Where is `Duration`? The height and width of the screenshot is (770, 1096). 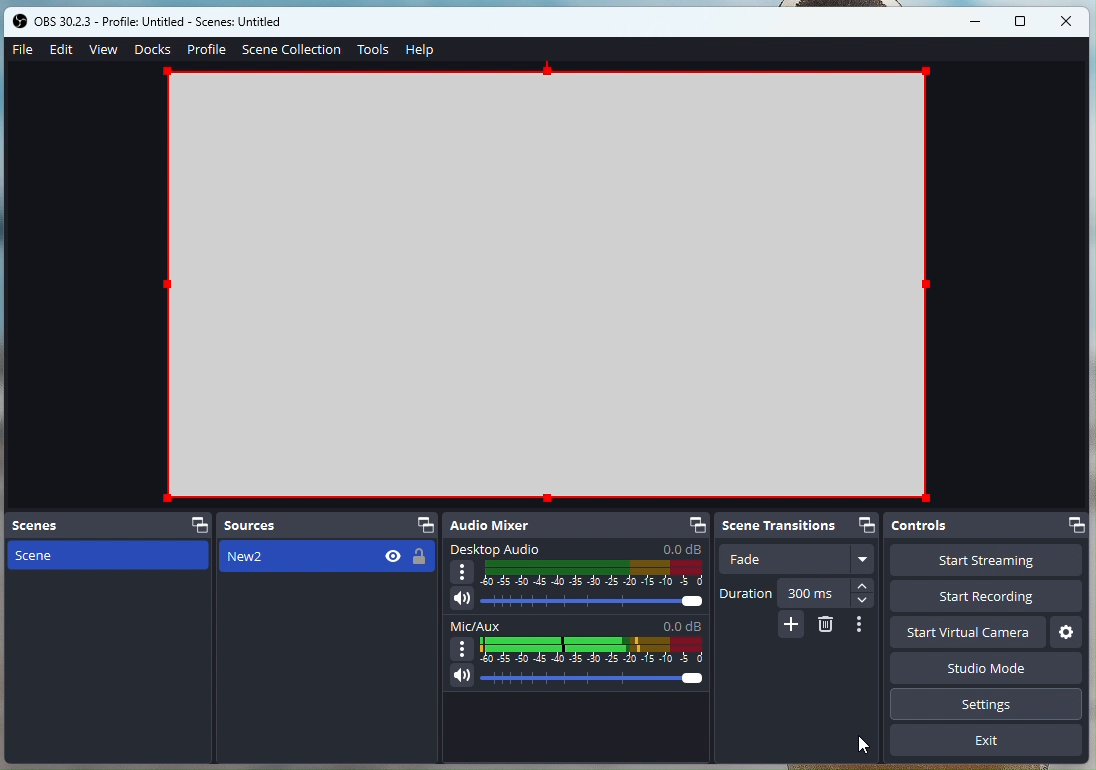 Duration is located at coordinates (746, 594).